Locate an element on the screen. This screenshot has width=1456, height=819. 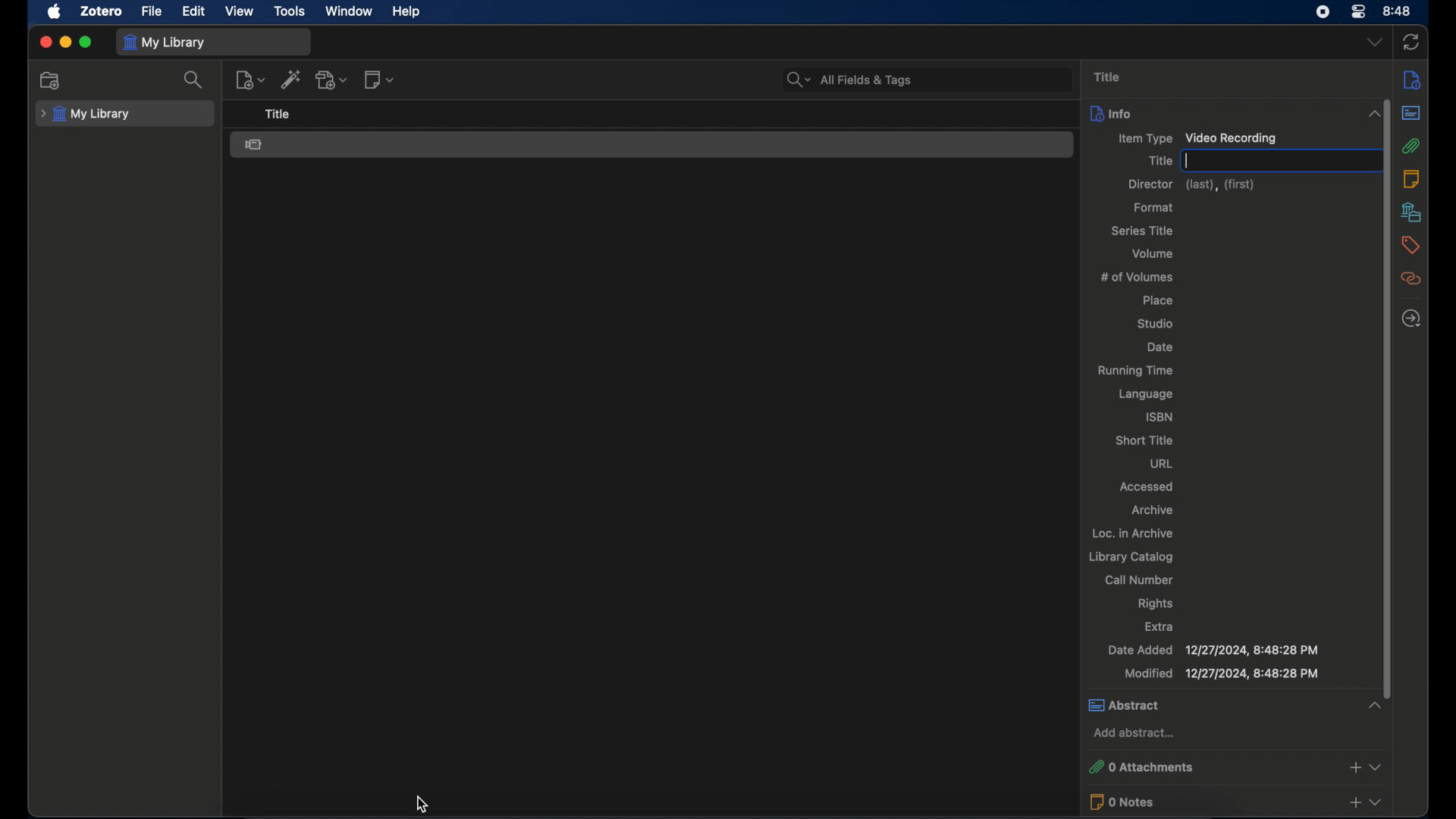
title is located at coordinates (278, 114).